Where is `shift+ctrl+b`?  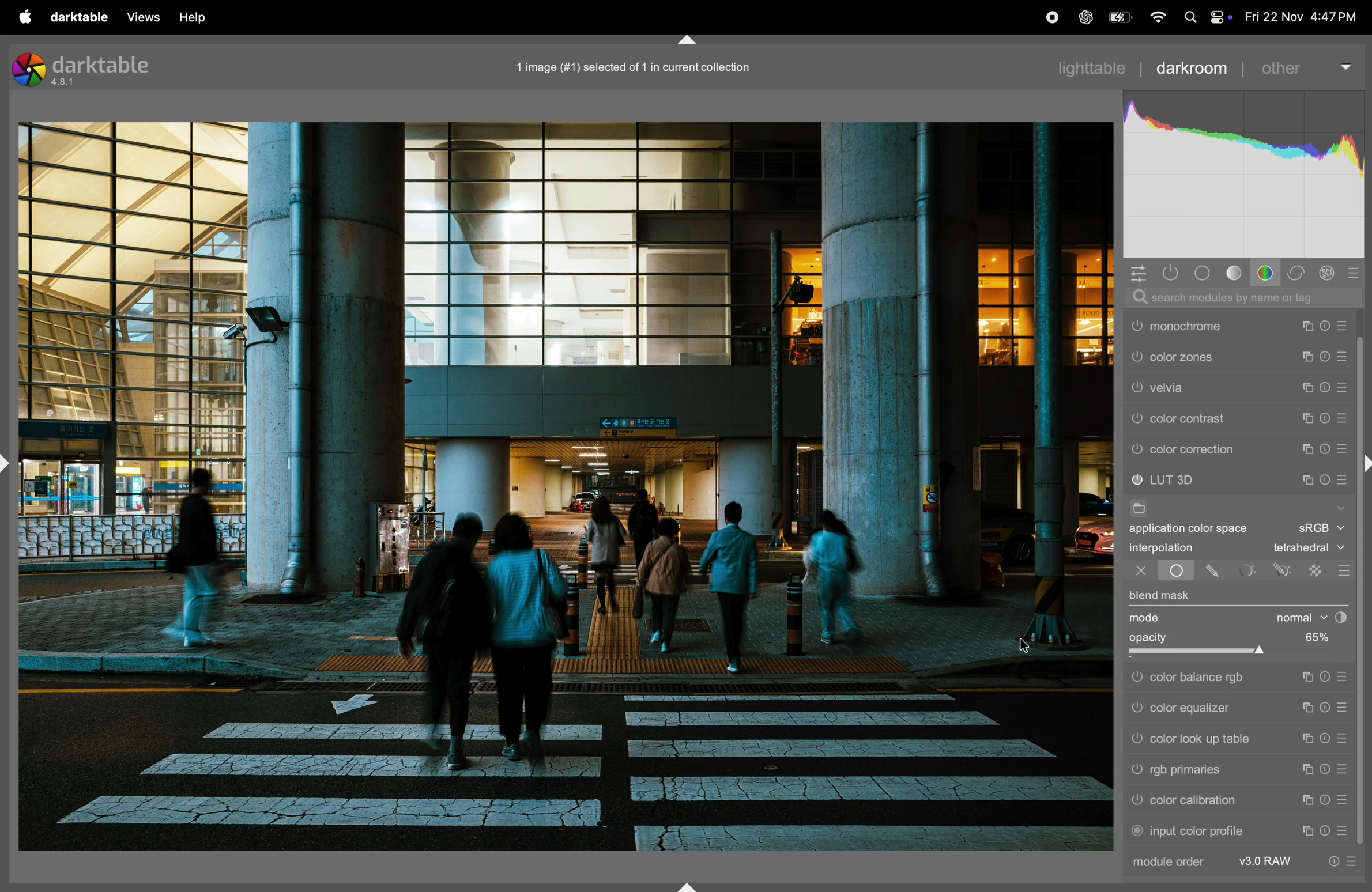
shift+ctrl+b is located at coordinates (685, 885).